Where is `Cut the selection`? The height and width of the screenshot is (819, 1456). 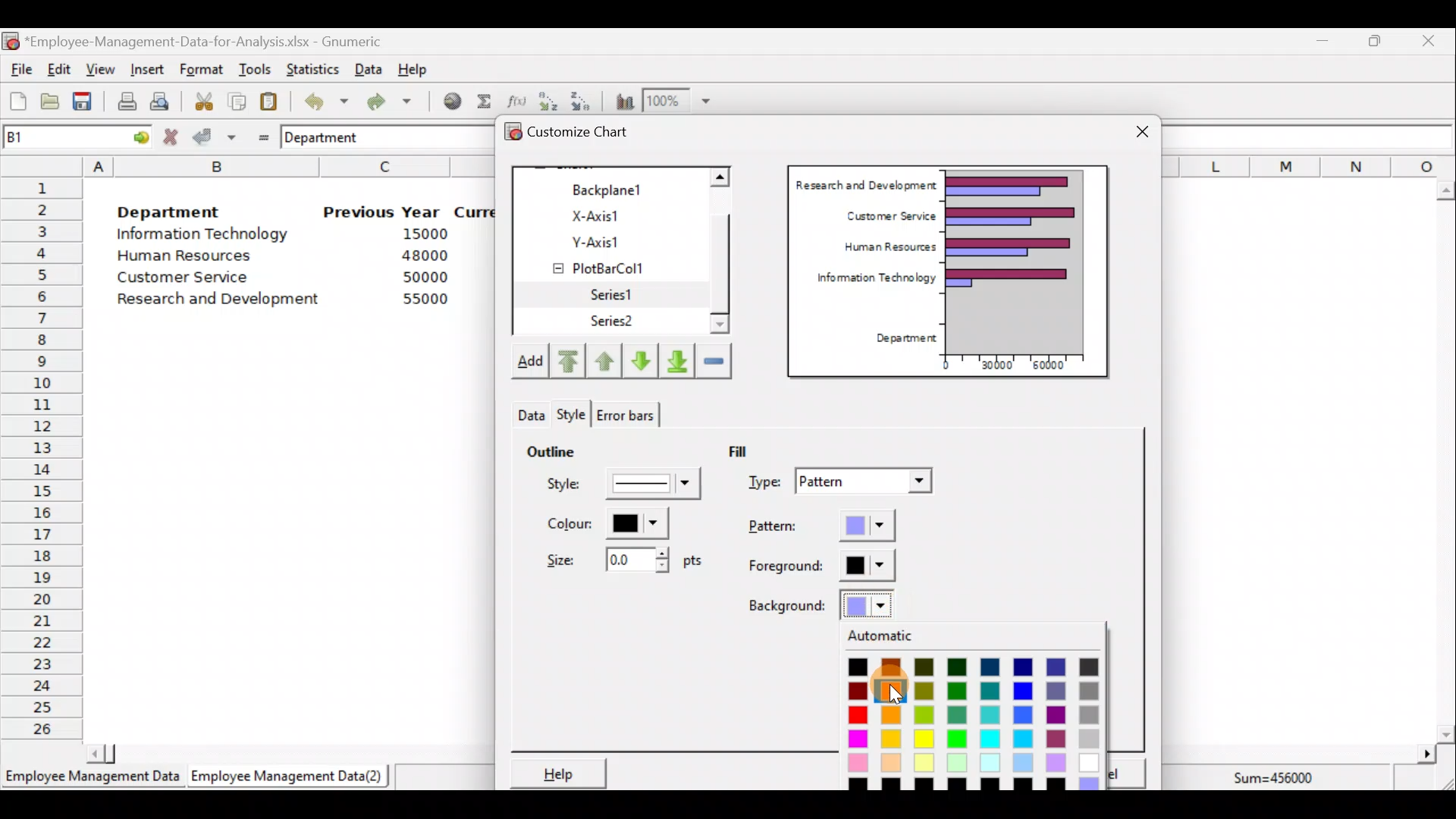
Cut the selection is located at coordinates (199, 99).